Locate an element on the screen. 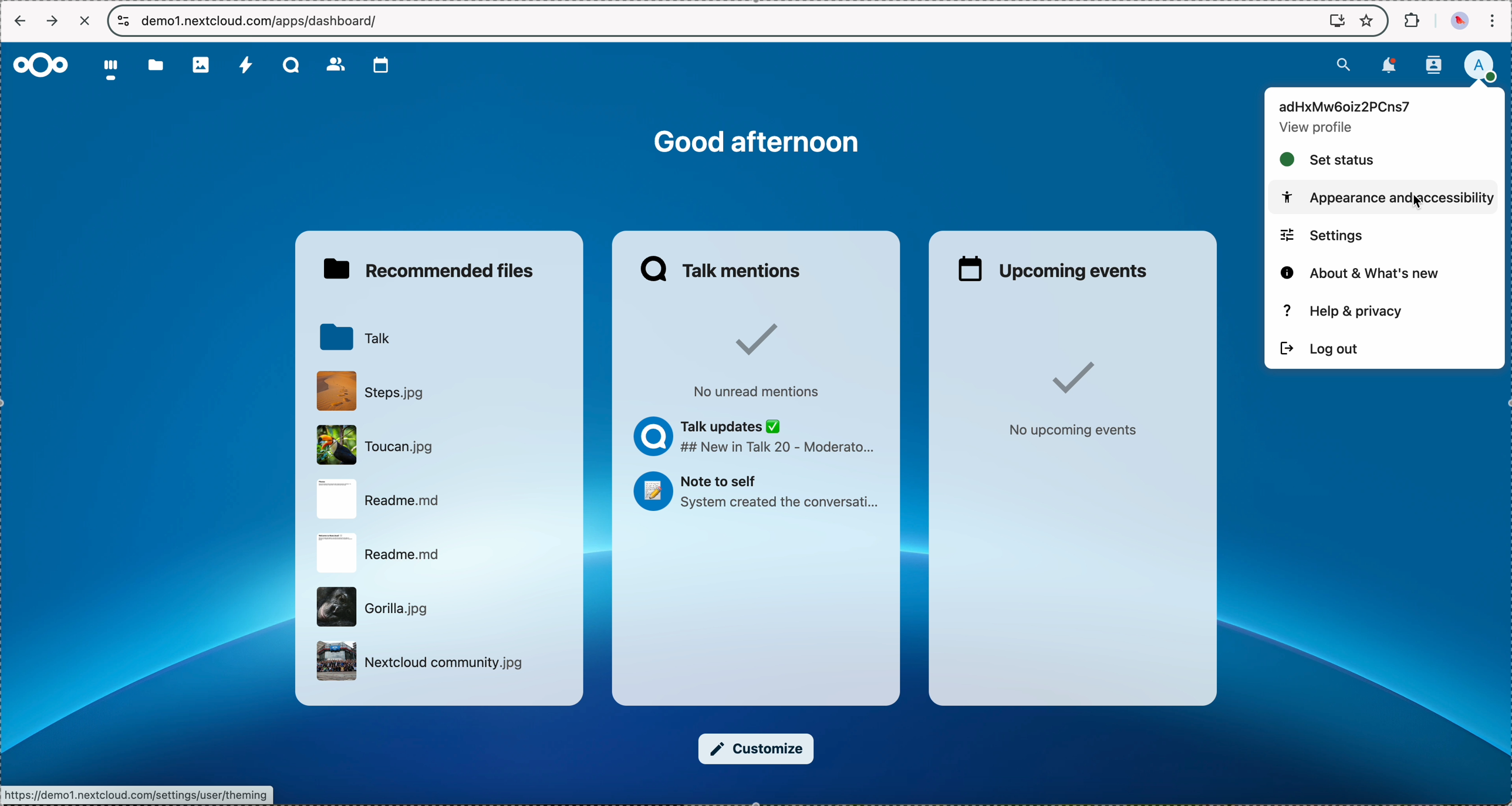 The height and width of the screenshot is (806, 1512). screen is located at coordinates (1331, 21).